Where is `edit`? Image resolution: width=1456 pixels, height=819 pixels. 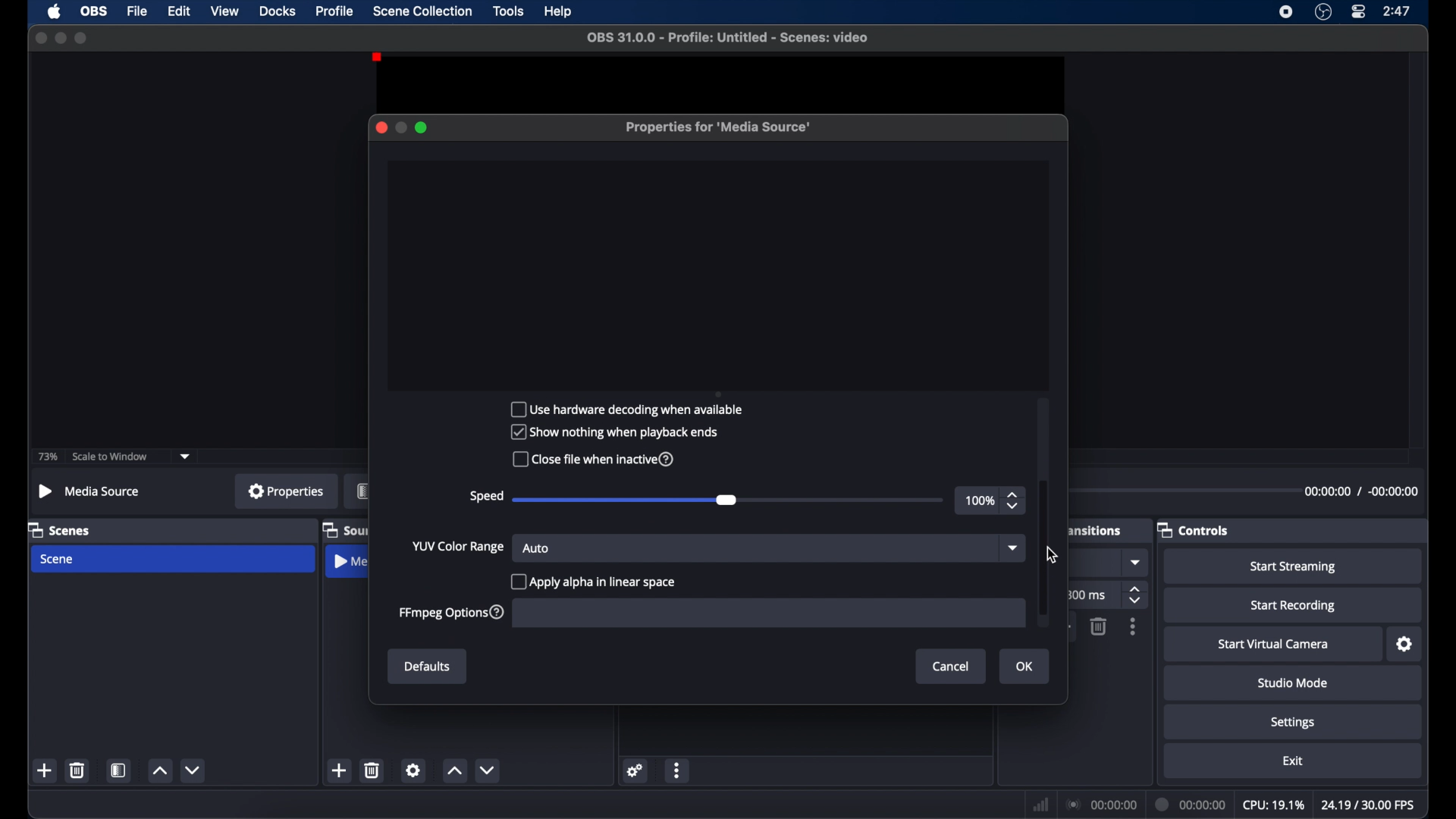
edit is located at coordinates (179, 11).